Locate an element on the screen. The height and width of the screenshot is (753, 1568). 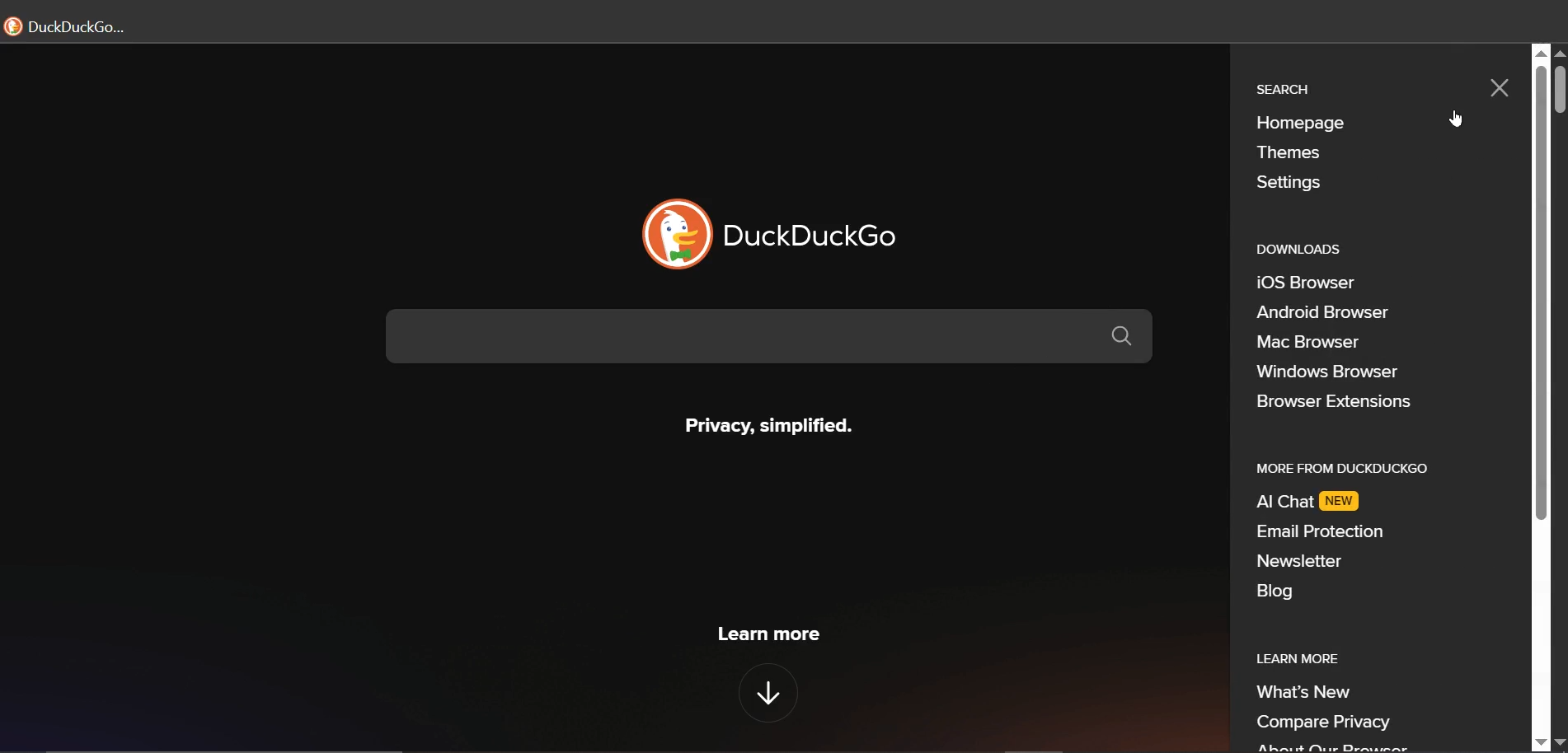
scroll is located at coordinates (1558, 91).